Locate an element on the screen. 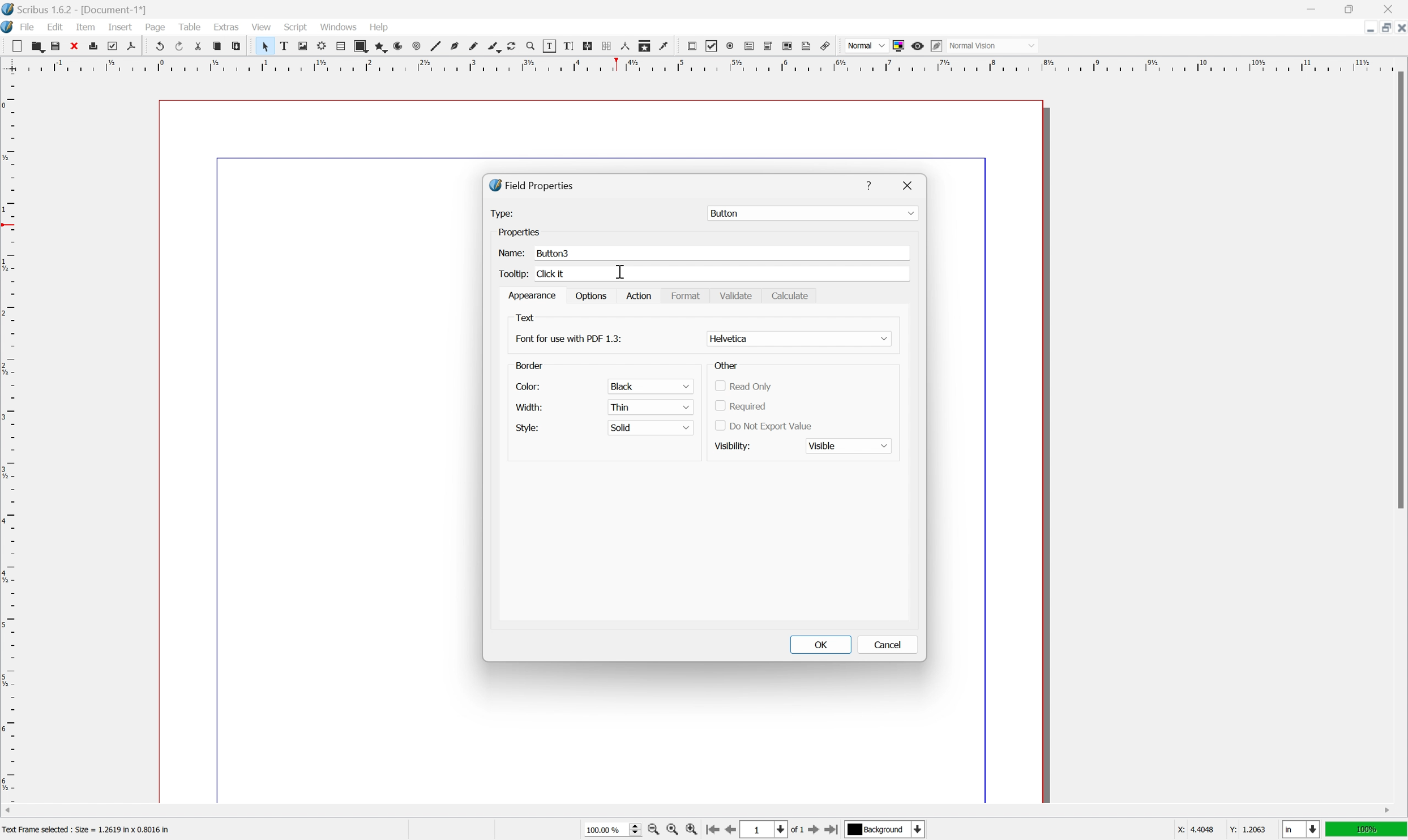 The image size is (1408, 840). width: is located at coordinates (528, 406).